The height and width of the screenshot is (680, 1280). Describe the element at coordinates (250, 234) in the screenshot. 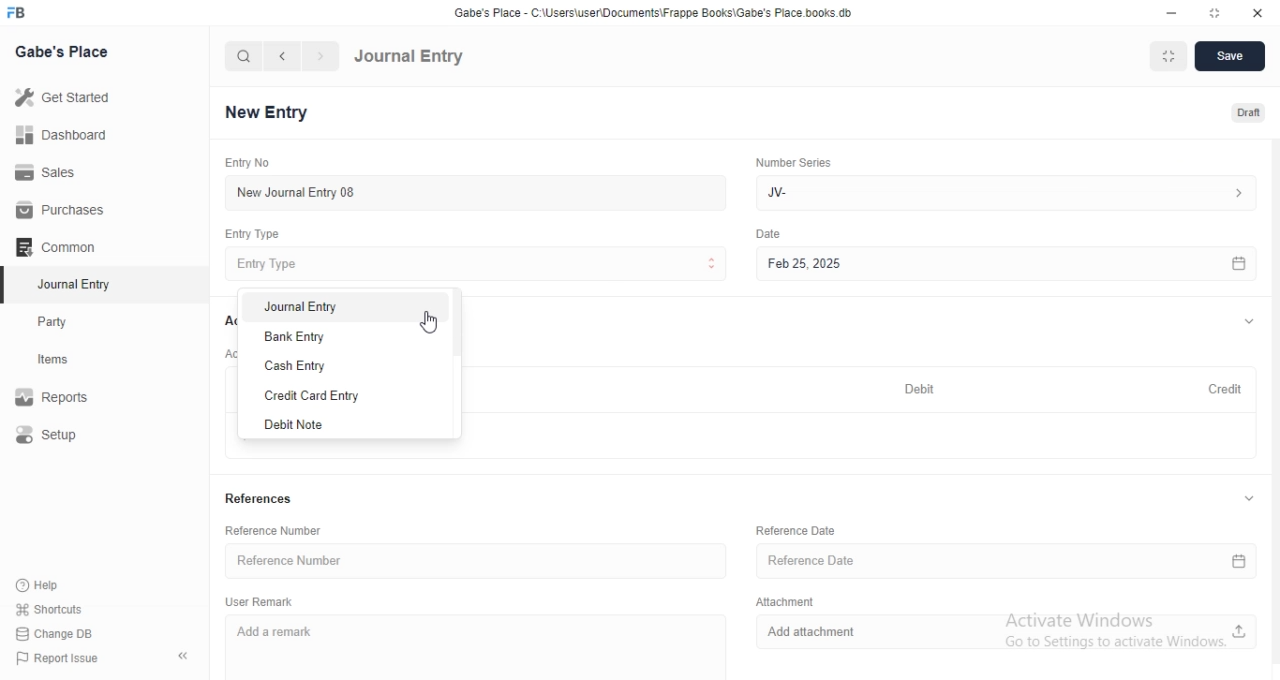

I see `Entry Type` at that location.